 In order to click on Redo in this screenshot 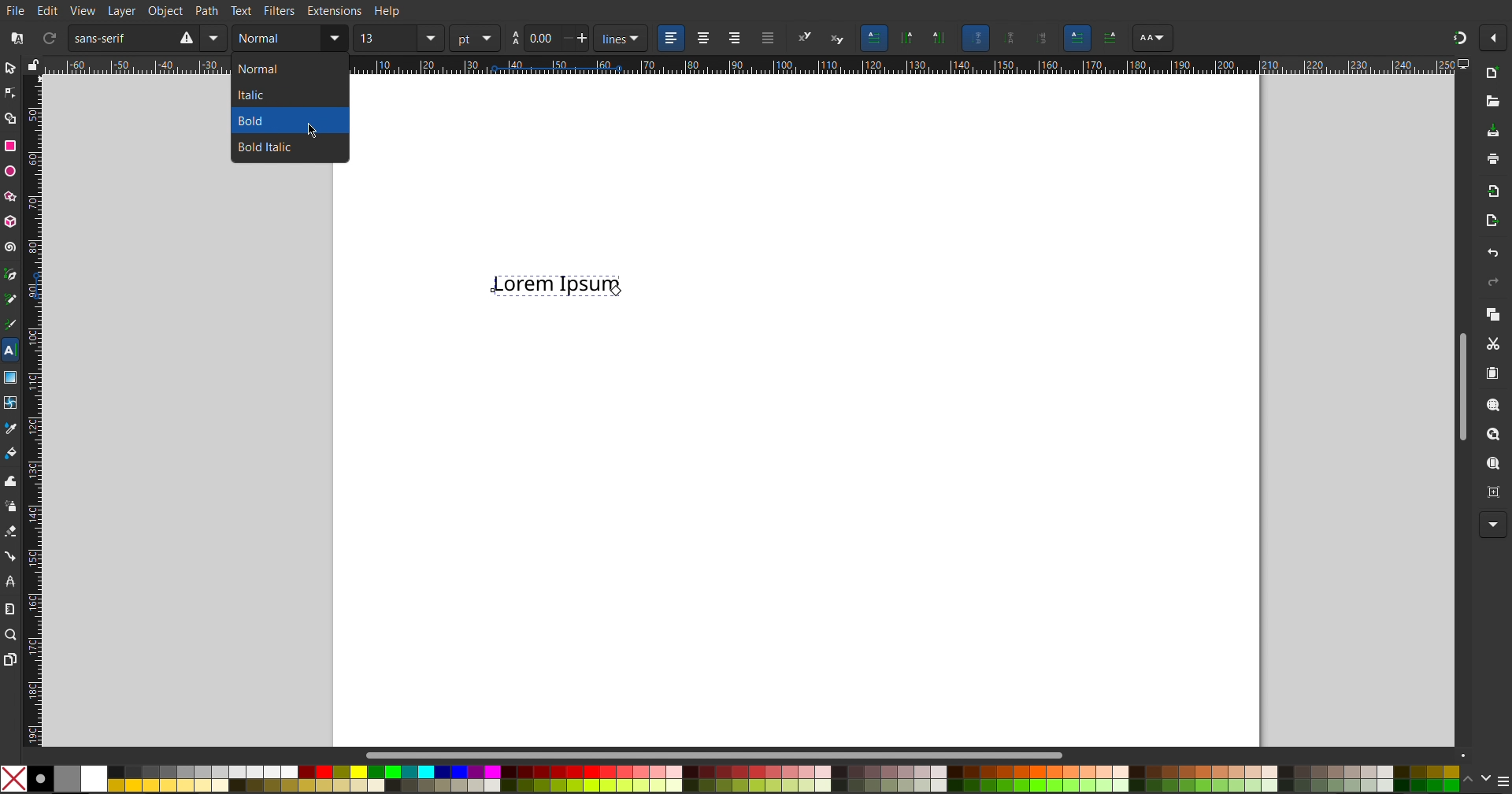, I will do `click(1490, 282)`.